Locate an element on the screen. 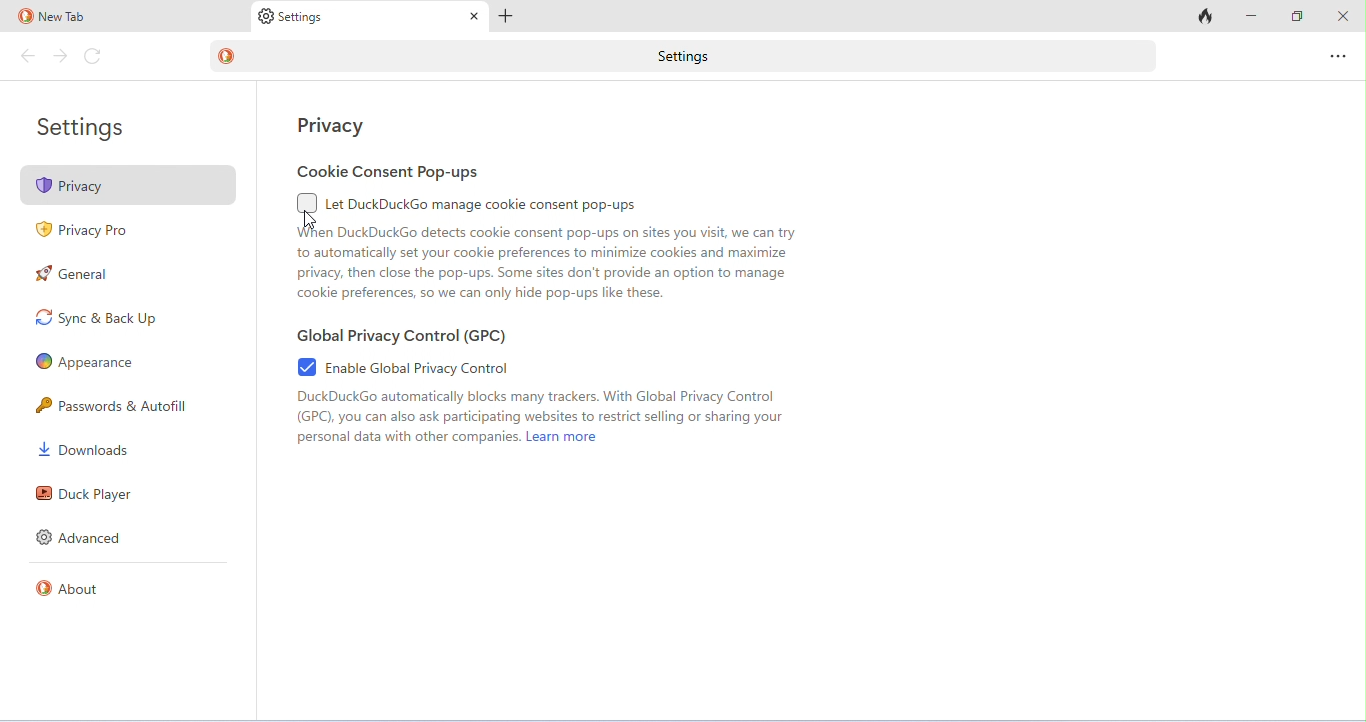  cookie consent pop-ups is located at coordinates (390, 172).